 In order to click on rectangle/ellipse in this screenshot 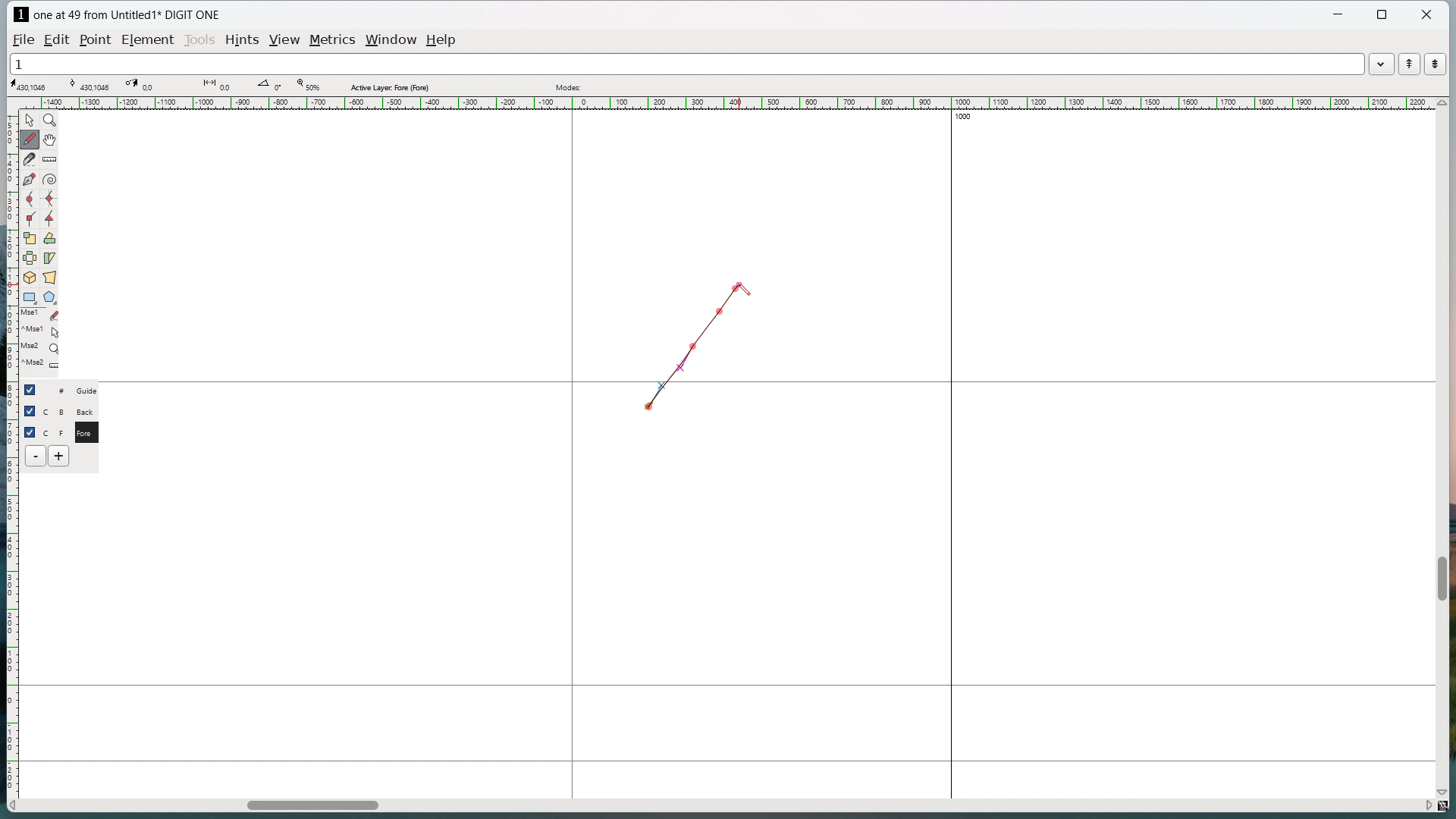, I will do `click(30, 297)`.